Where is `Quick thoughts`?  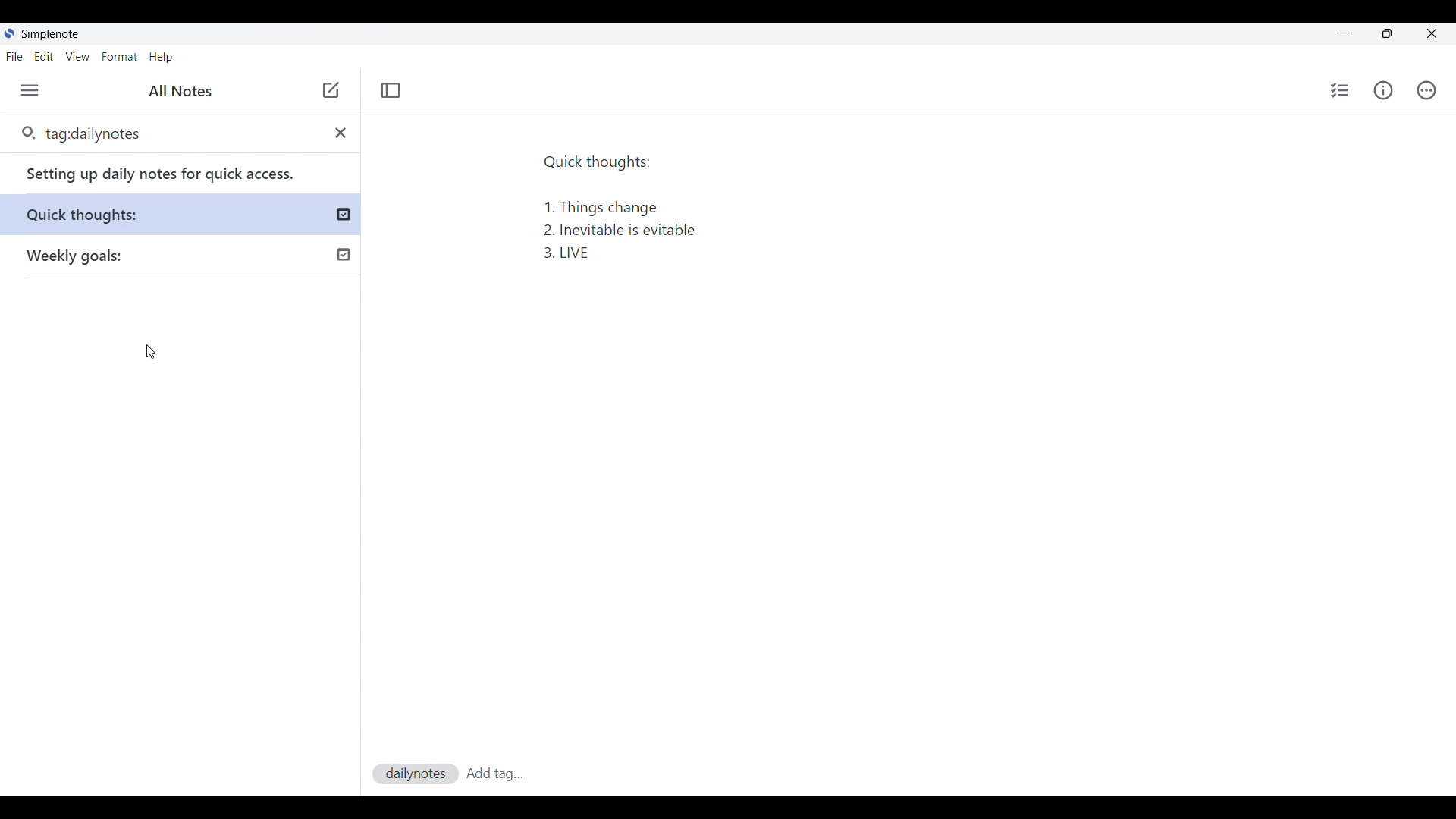 Quick thoughts is located at coordinates (102, 214).